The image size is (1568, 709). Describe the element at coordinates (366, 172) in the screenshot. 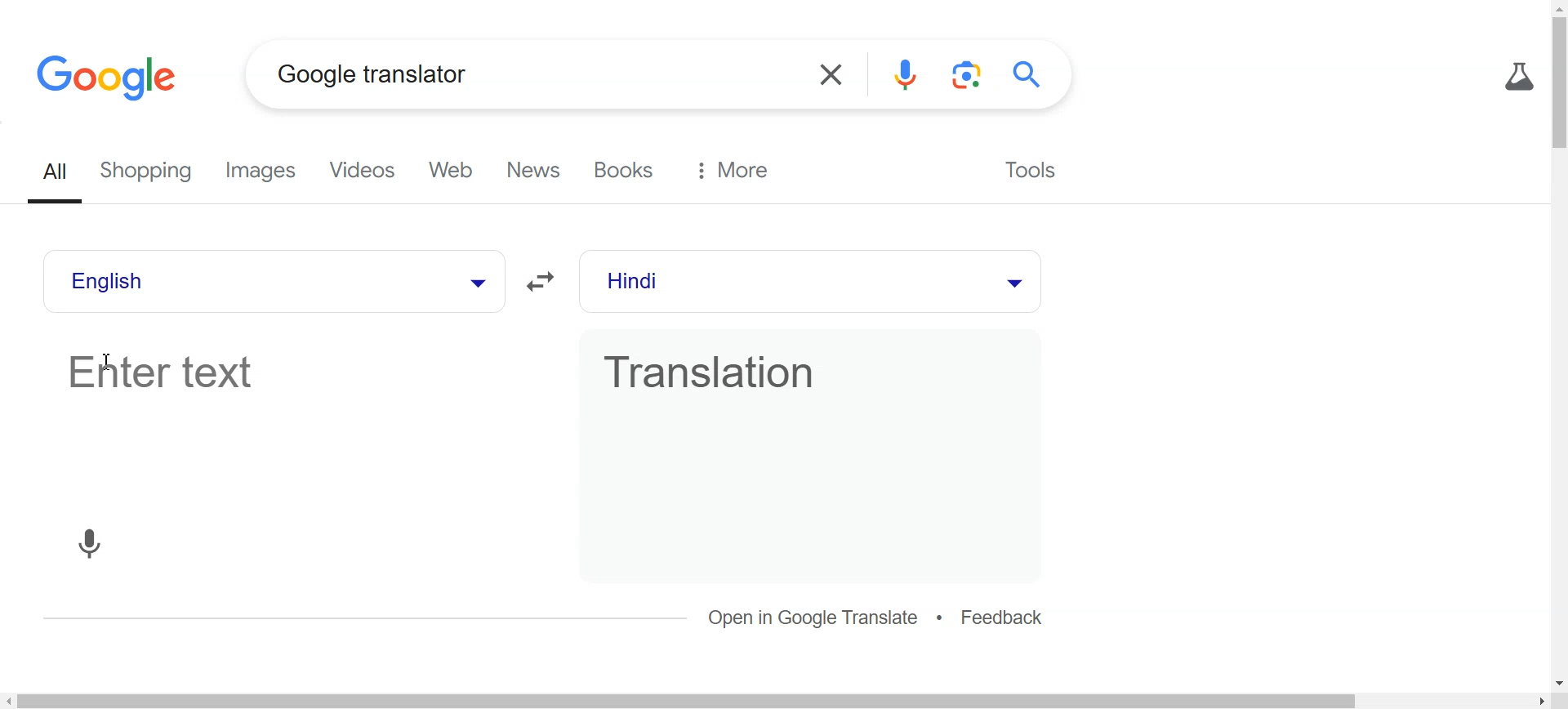

I see `Videos` at that location.